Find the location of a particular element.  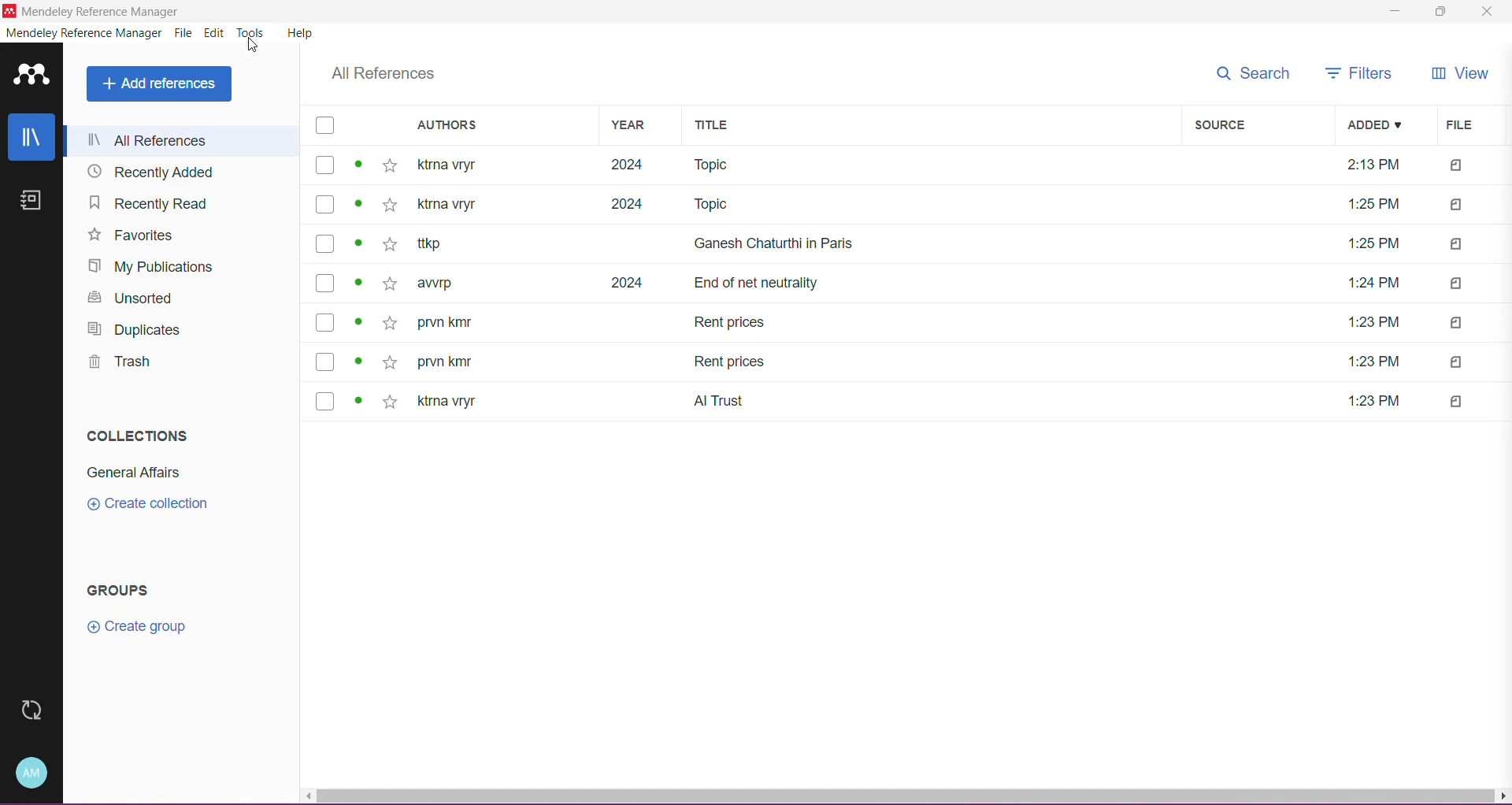

Minimize is located at coordinates (1392, 11).